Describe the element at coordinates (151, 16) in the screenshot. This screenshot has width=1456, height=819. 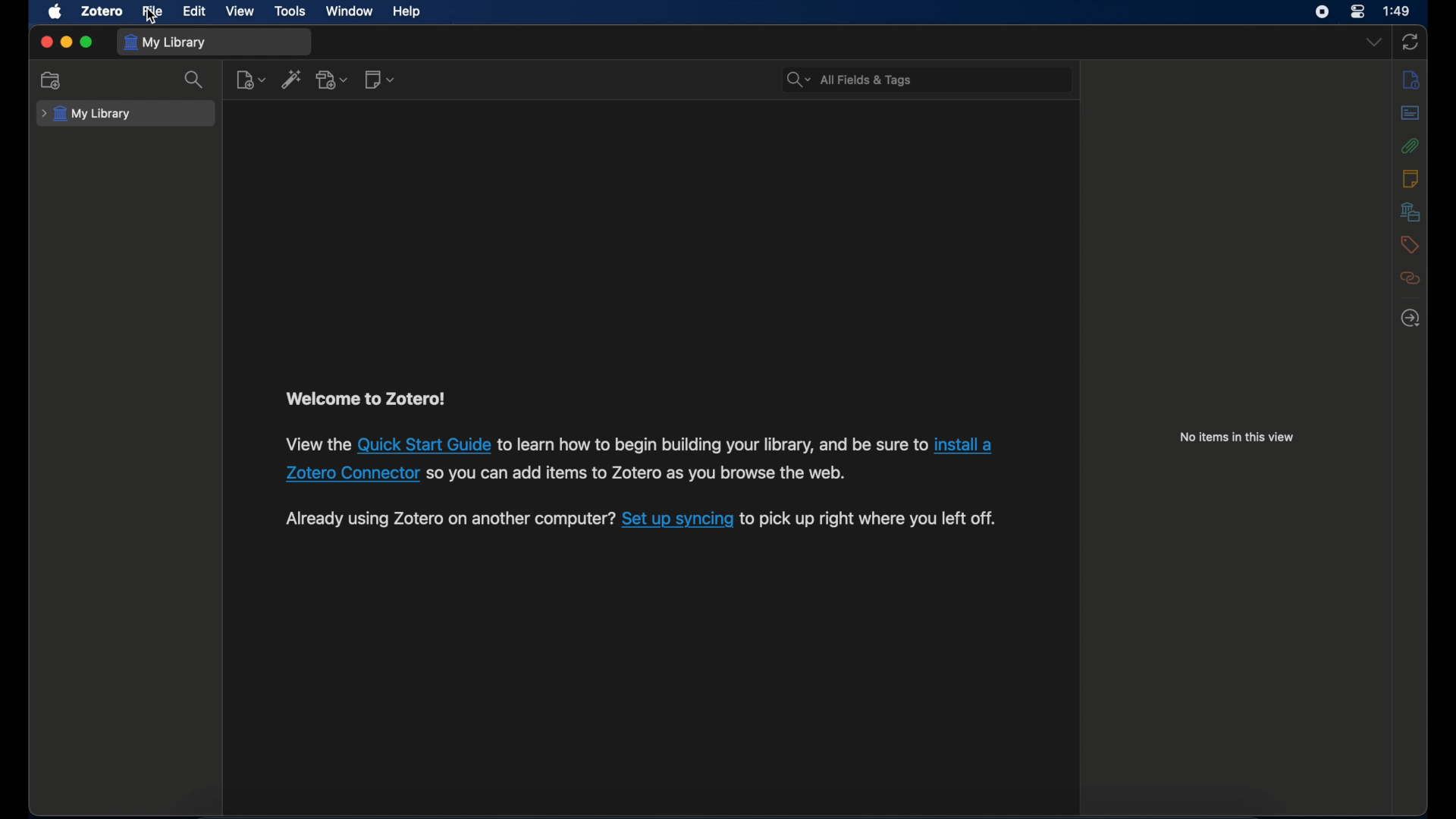
I see `cursor` at that location.